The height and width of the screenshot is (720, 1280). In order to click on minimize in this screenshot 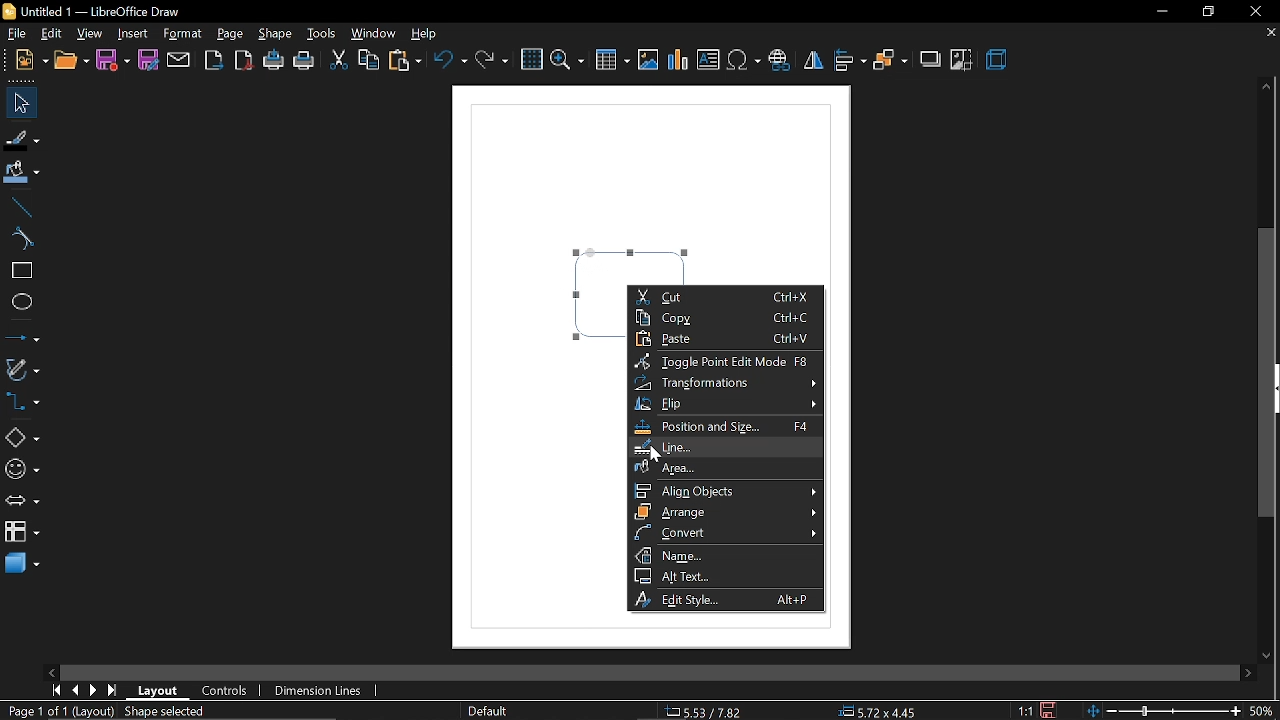, I will do `click(1160, 12)`.